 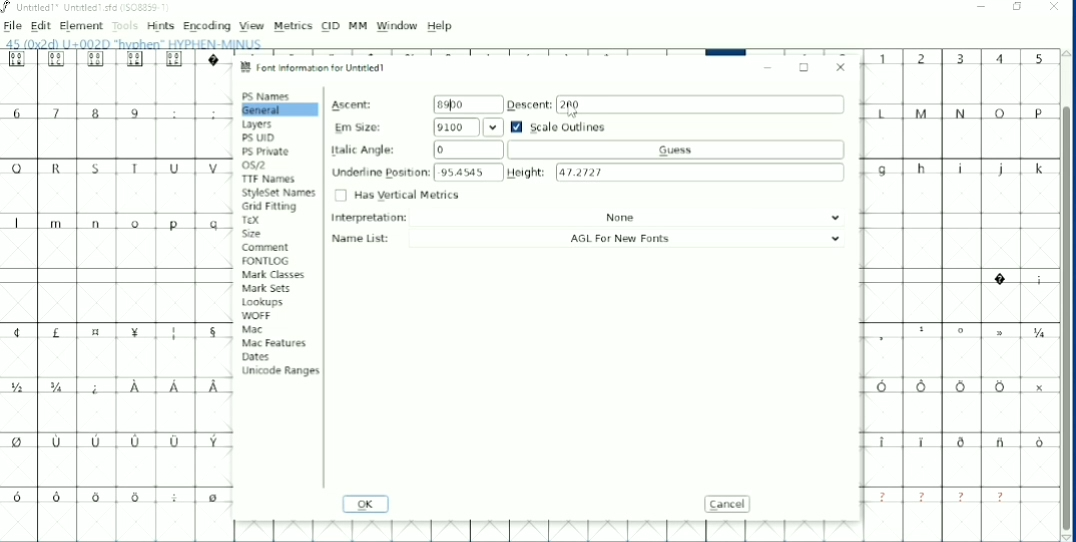 What do you see at coordinates (1054, 9) in the screenshot?
I see `Close` at bounding box center [1054, 9].